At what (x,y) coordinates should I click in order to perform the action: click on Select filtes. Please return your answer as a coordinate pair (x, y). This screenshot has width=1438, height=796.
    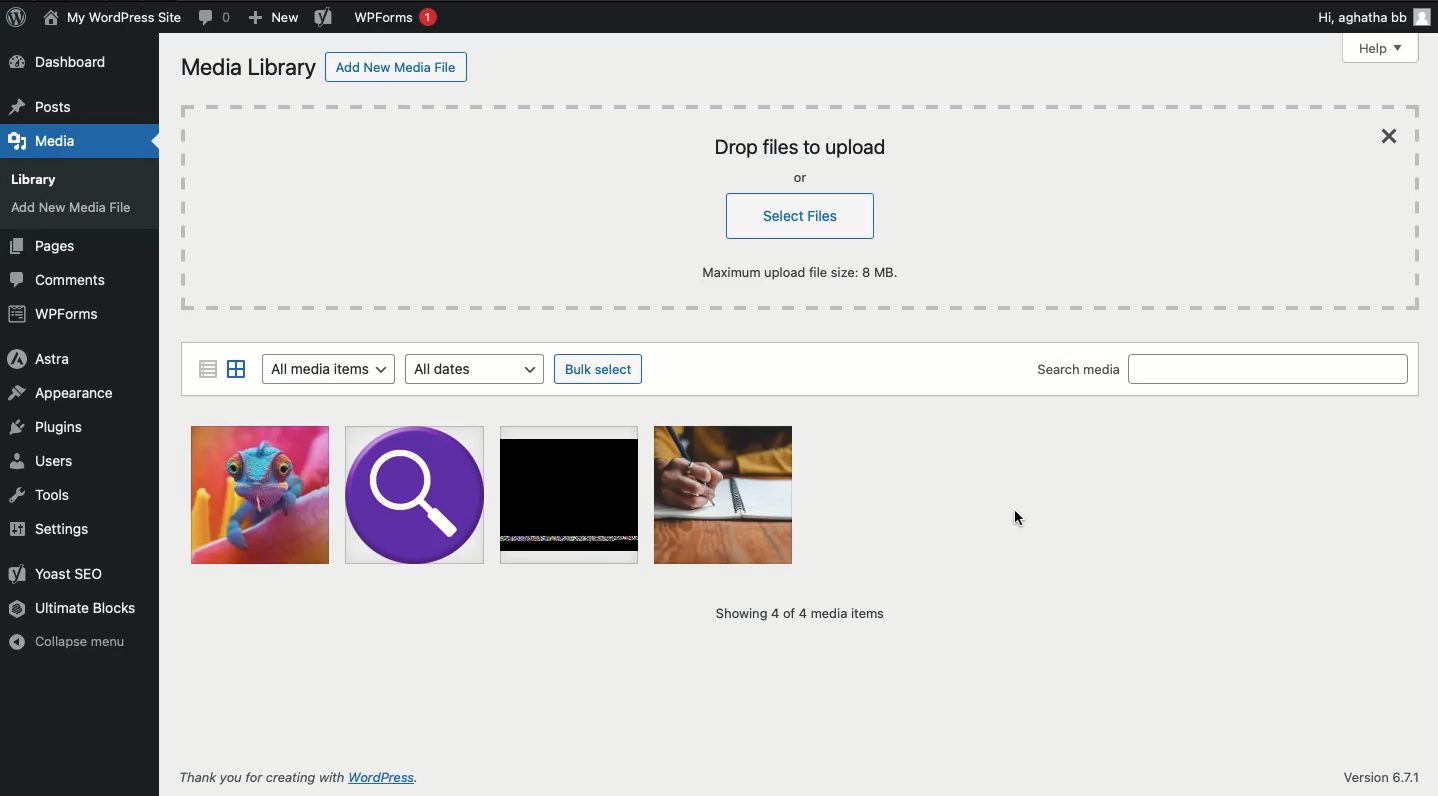
    Looking at the image, I should click on (803, 217).